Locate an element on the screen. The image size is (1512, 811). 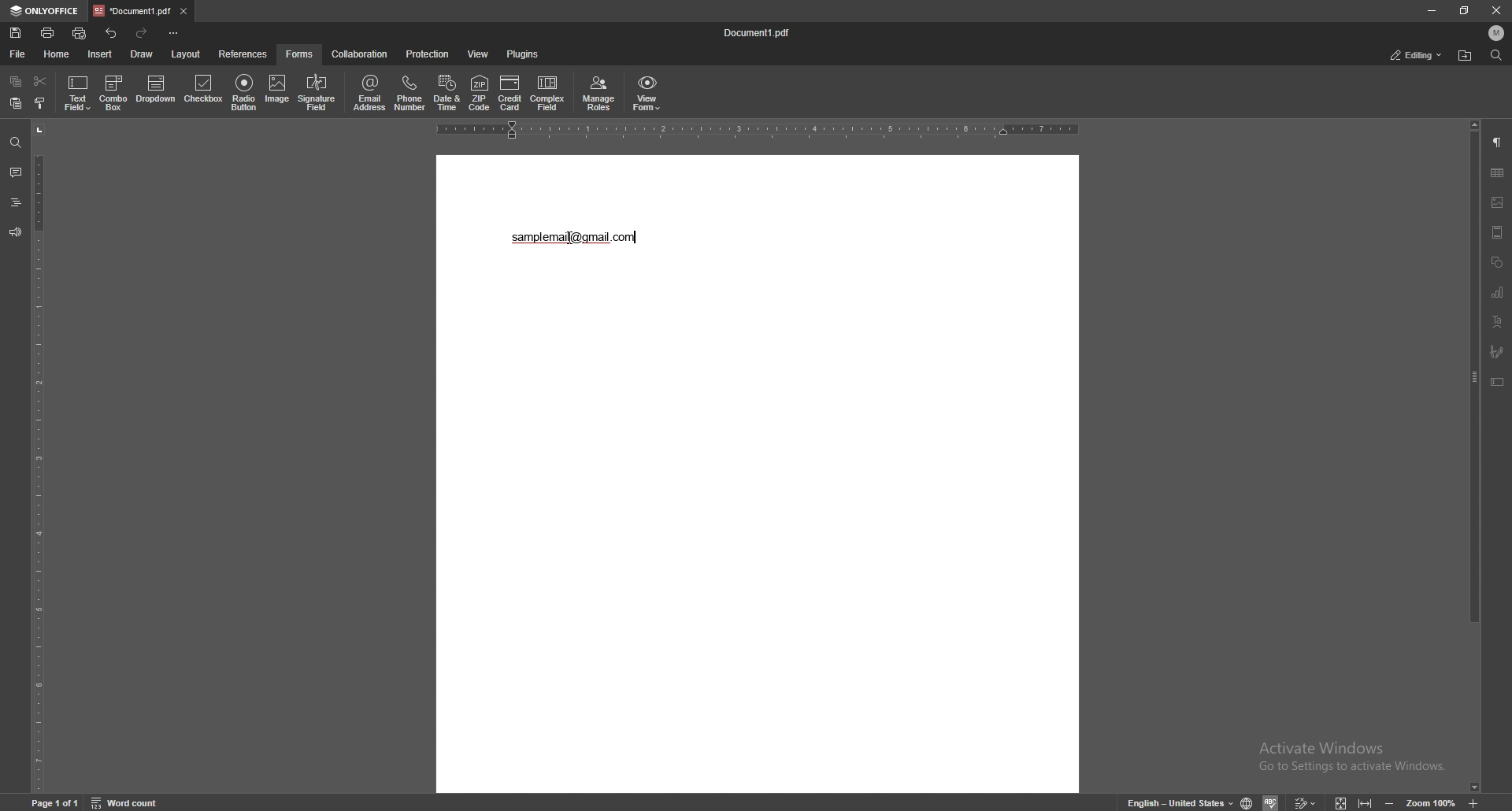
fit to screen is located at coordinates (1344, 802).